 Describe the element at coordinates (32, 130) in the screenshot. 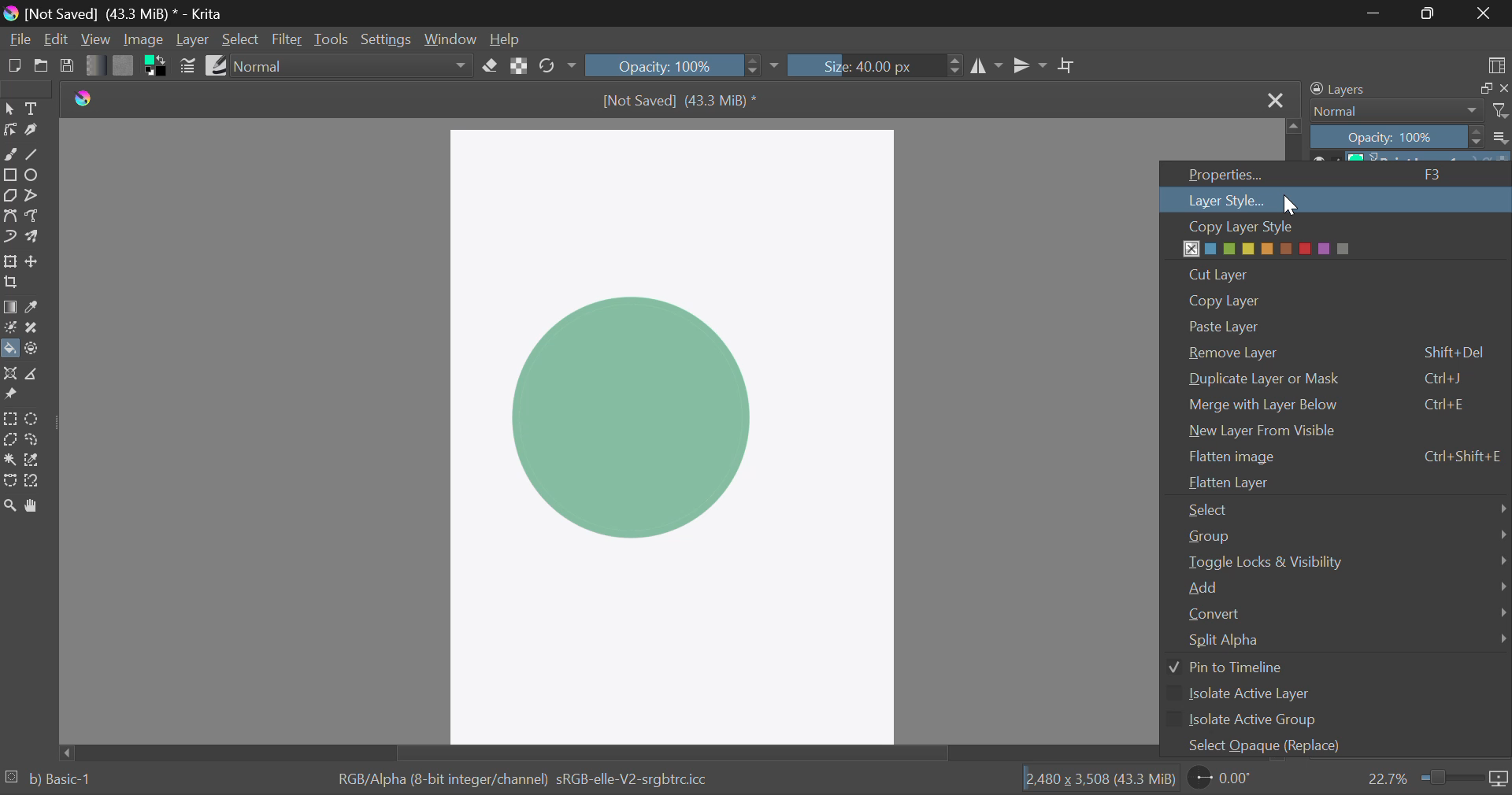

I see `Calligraphic Tool` at that location.